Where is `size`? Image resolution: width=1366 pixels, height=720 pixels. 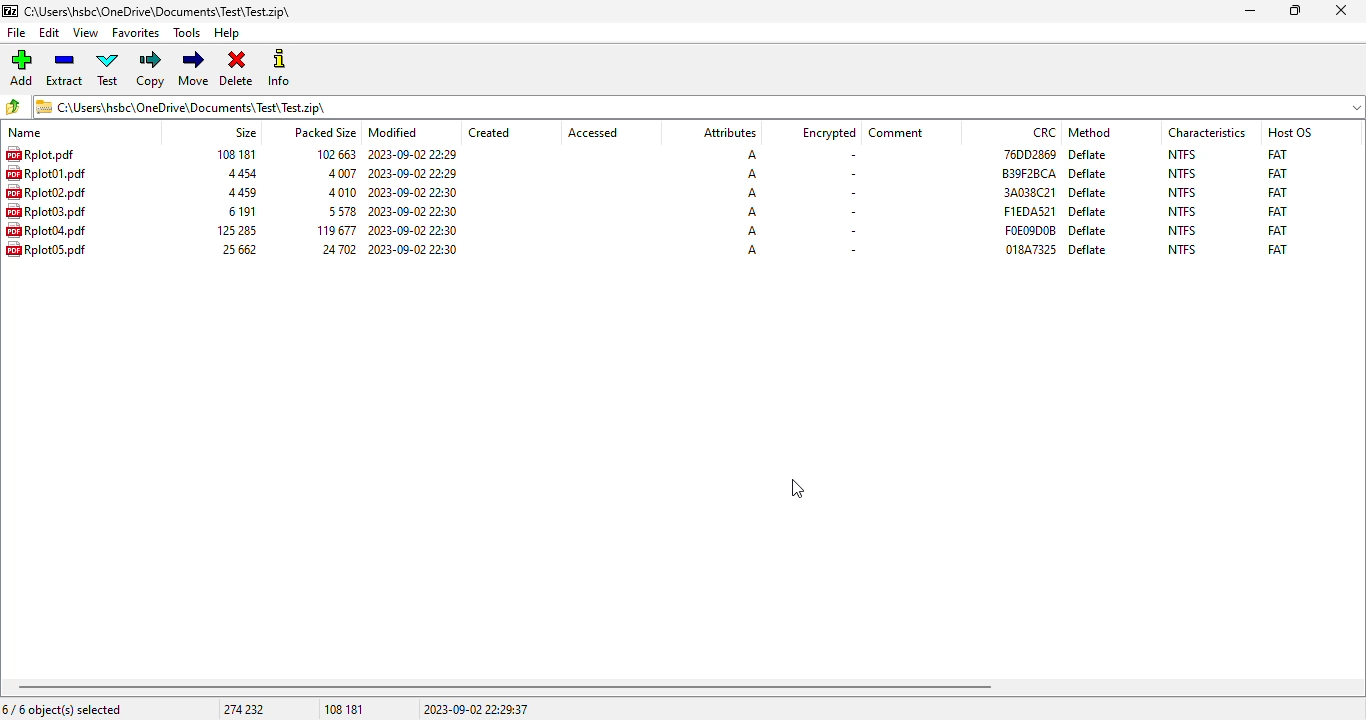
size is located at coordinates (240, 211).